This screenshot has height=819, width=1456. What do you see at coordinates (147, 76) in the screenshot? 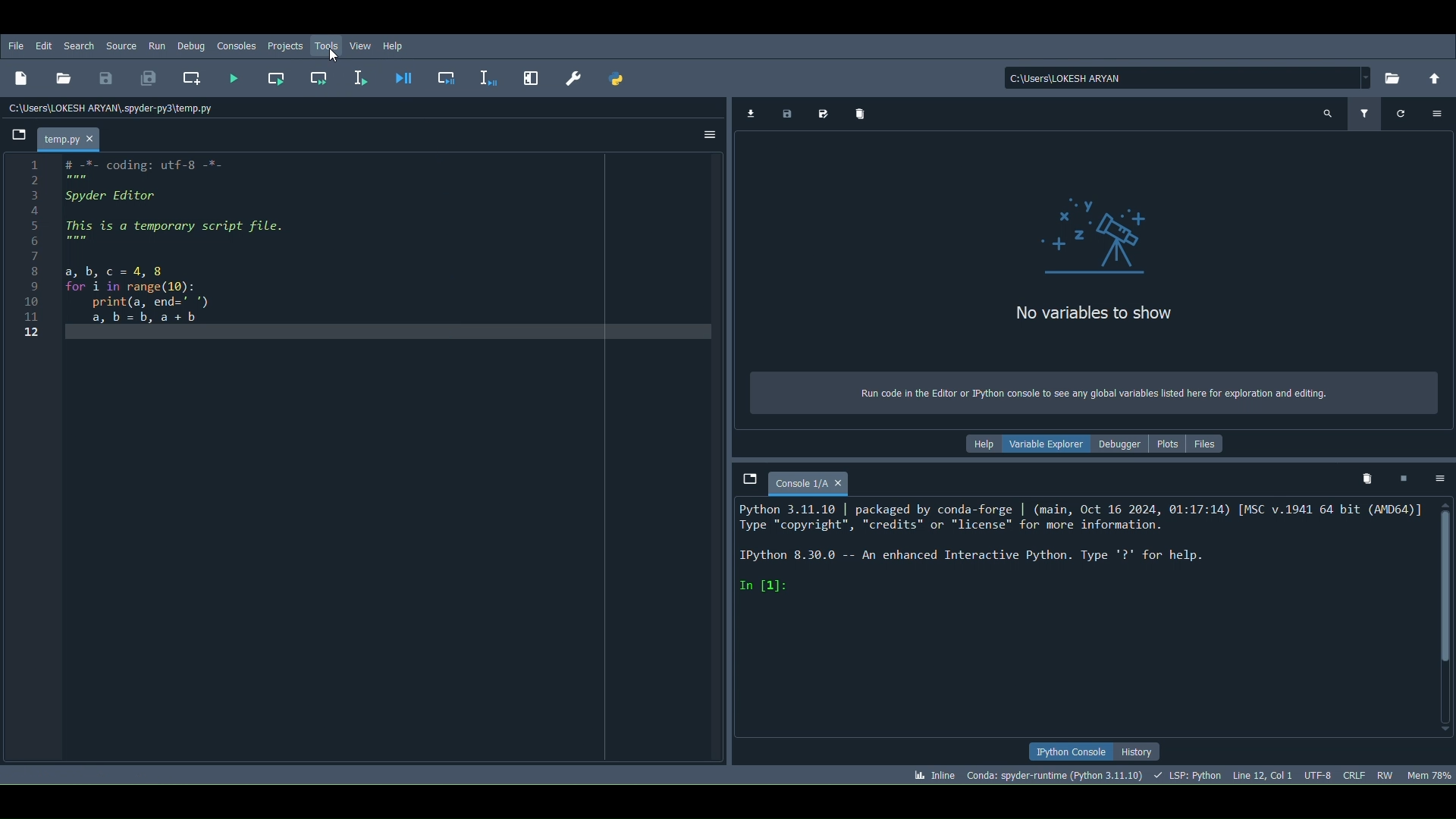
I see `Save all (Ctrl + Alt + S)` at bounding box center [147, 76].